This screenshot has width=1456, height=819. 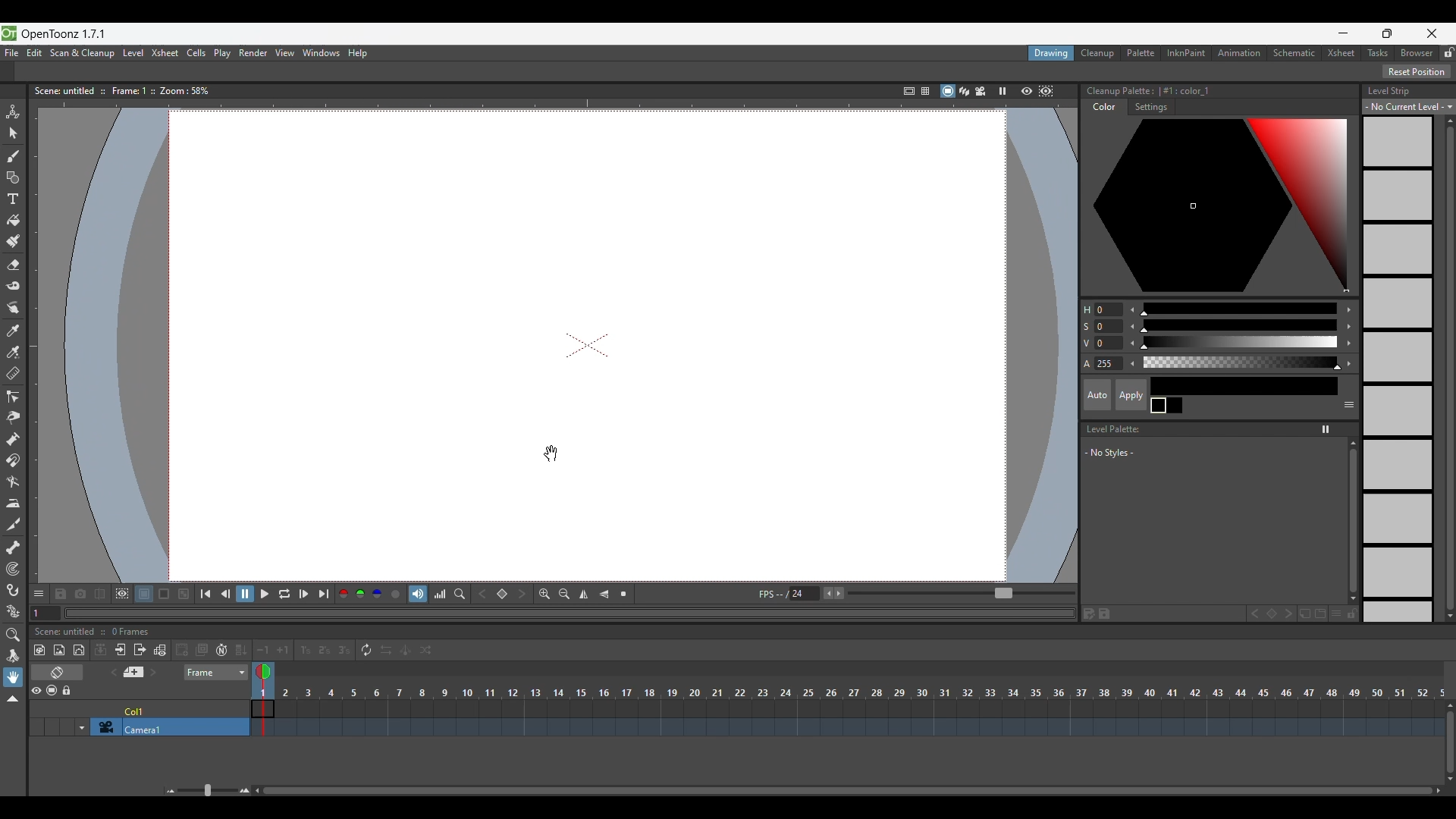 What do you see at coordinates (80, 594) in the screenshot?
I see `Snapshot` at bounding box center [80, 594].